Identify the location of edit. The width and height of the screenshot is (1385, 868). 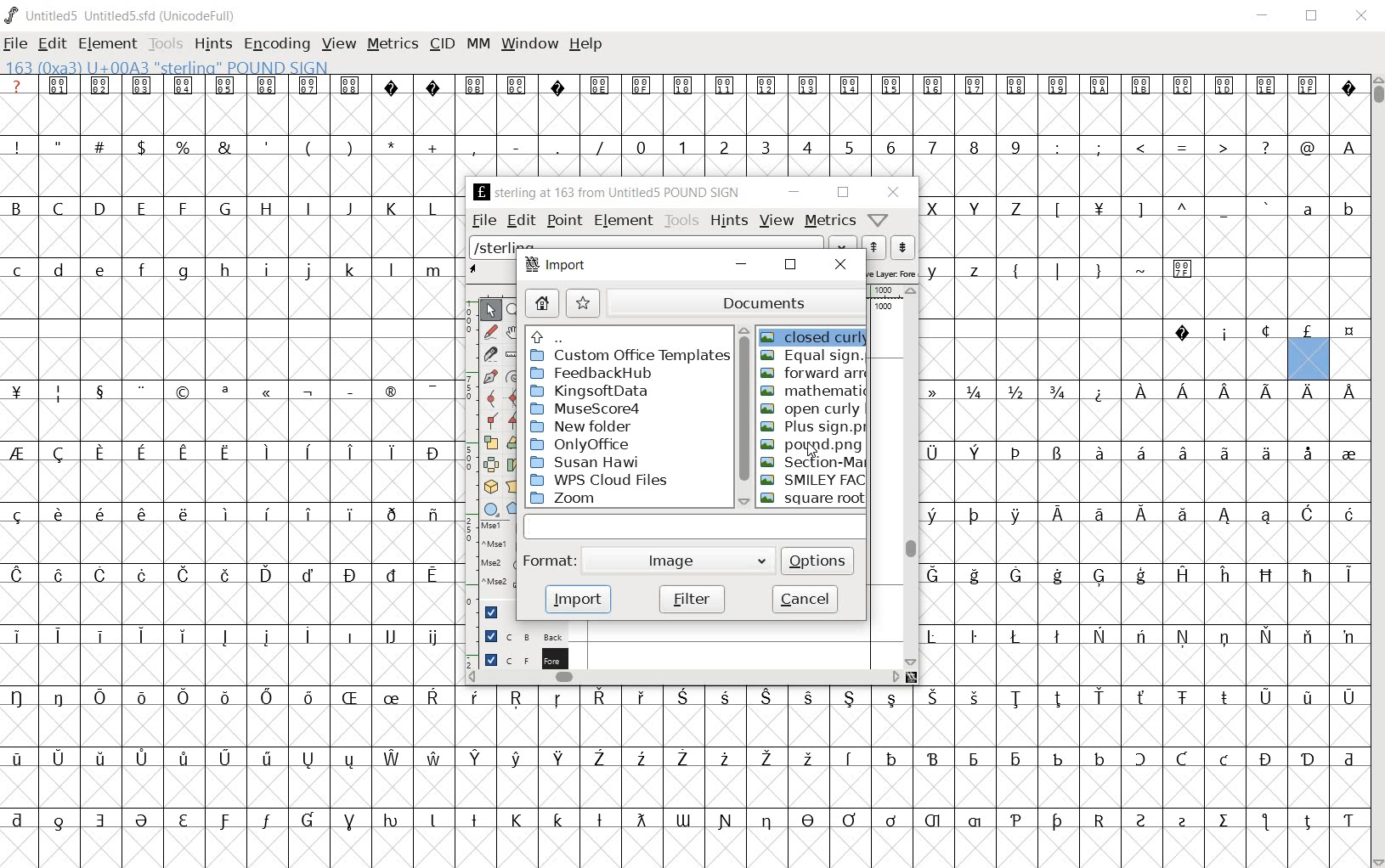
(523, 219).